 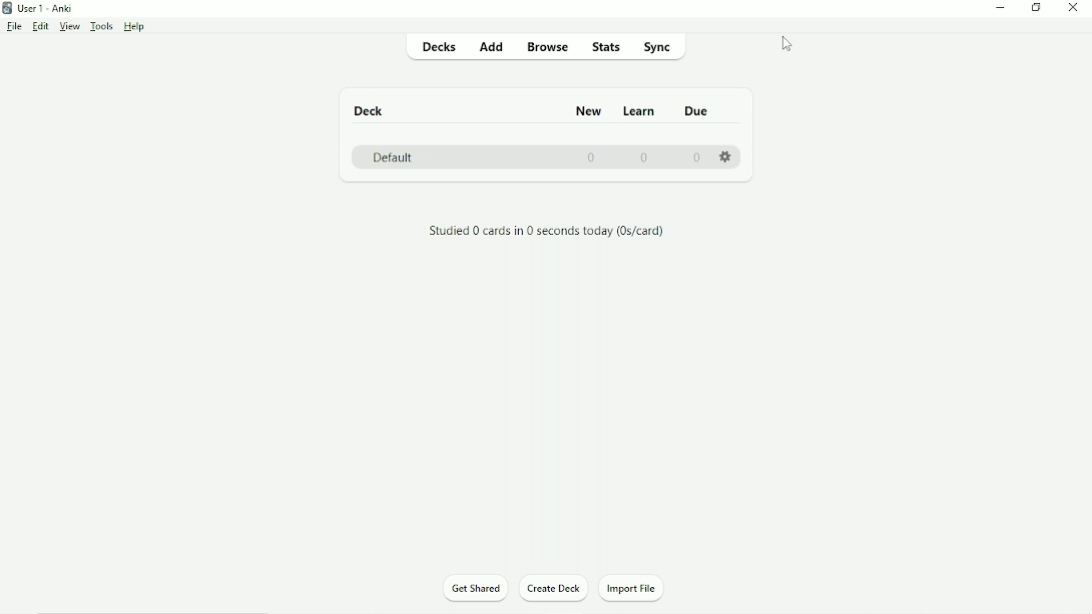 What do you see at coordinates (1000, 10) in the screenshot?
I see `Minimize` at bounding box center [1000, 10].